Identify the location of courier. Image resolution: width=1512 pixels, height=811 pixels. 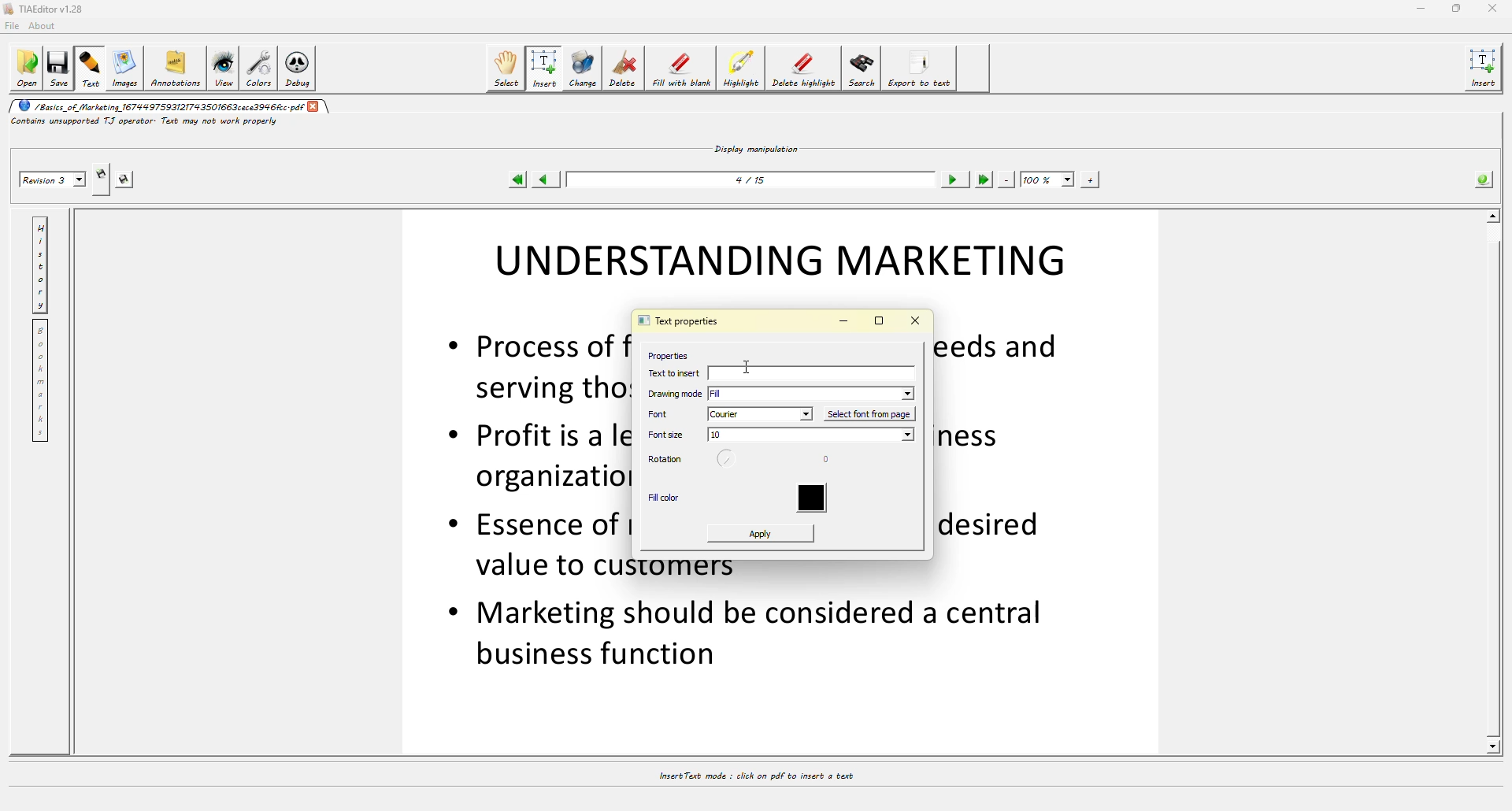
(761, 414).